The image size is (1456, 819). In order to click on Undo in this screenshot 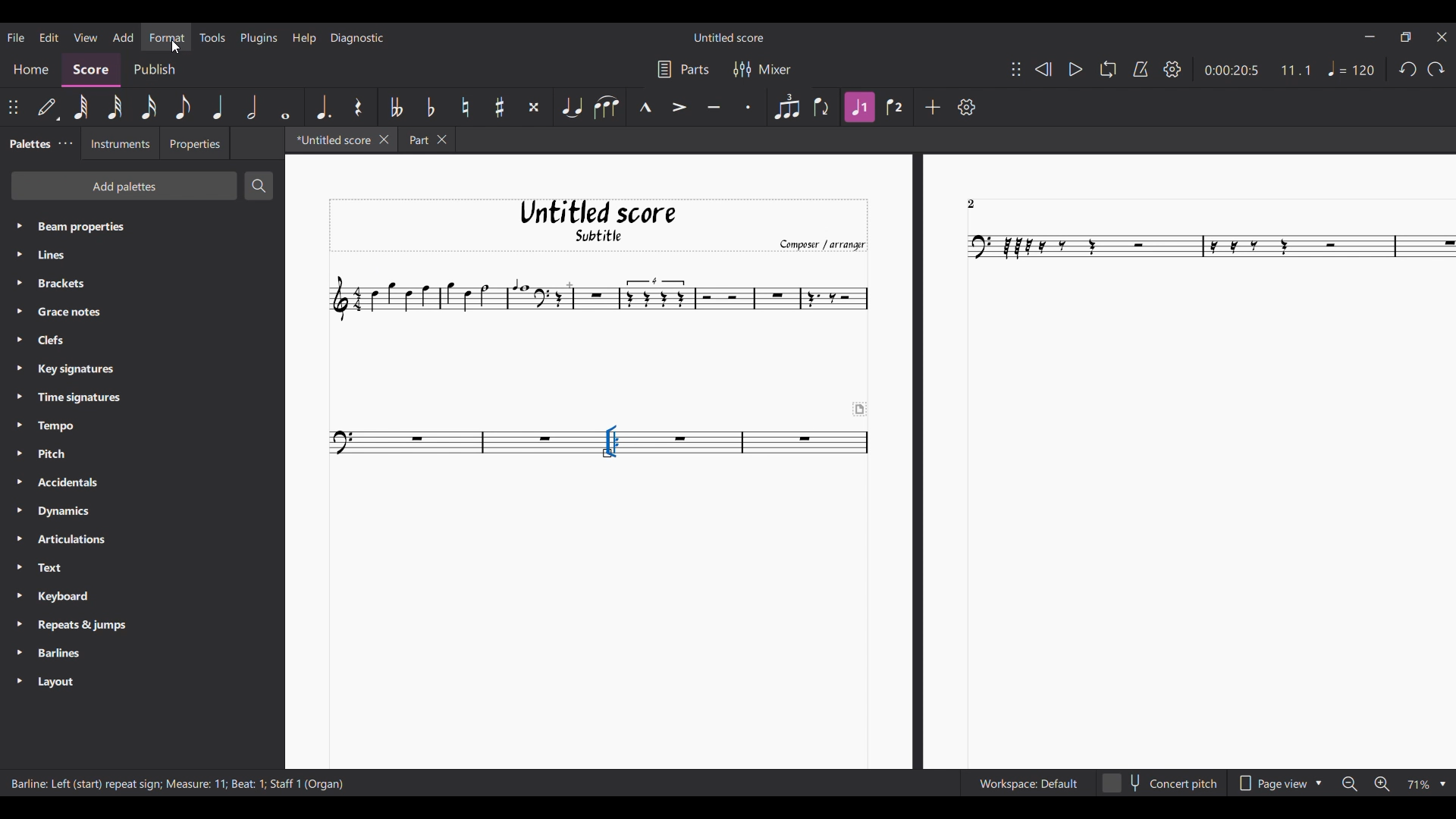, I will do `click(1407, 69)`.